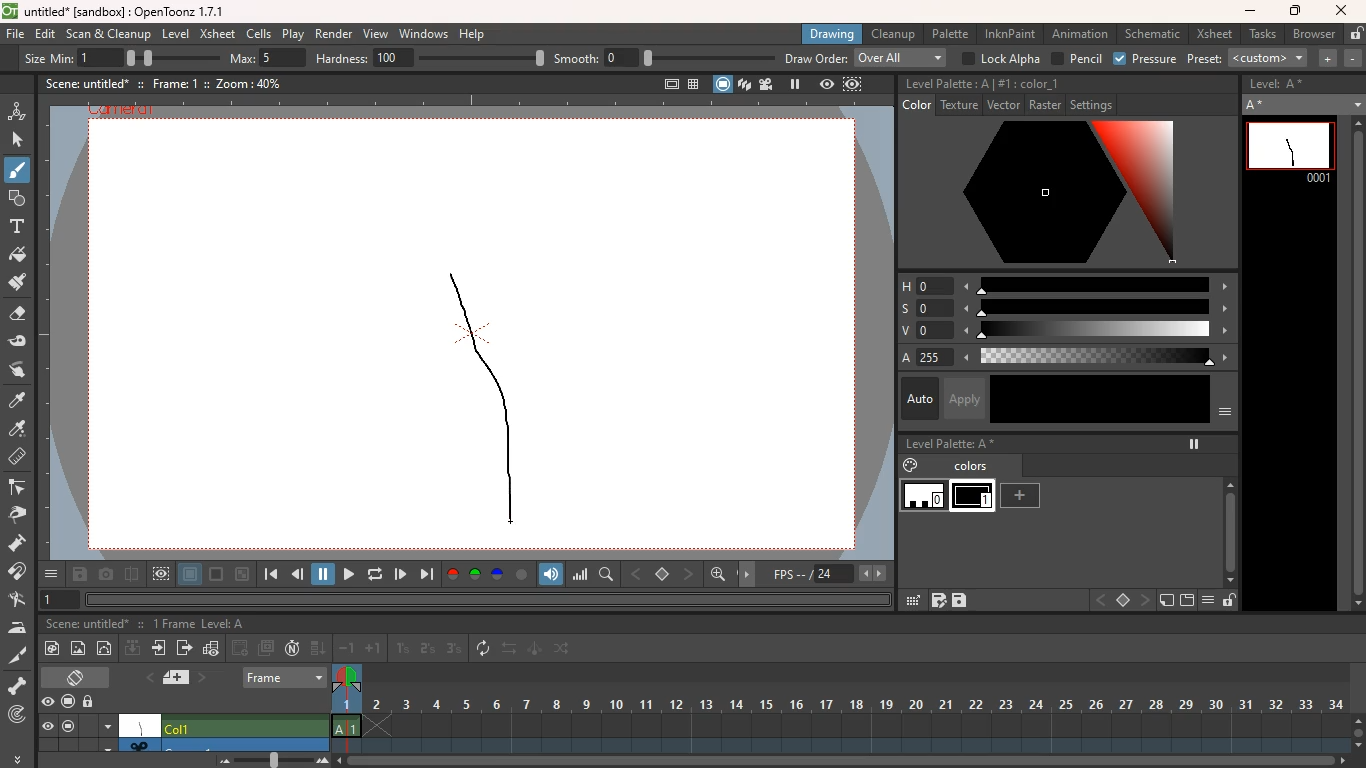 Image resolution: width=1366 pixels, height=768 pixels. What do you see at coordinates (1250, 12) in the screenshot?
I see `minimize` at bounding box center [1250, 12].